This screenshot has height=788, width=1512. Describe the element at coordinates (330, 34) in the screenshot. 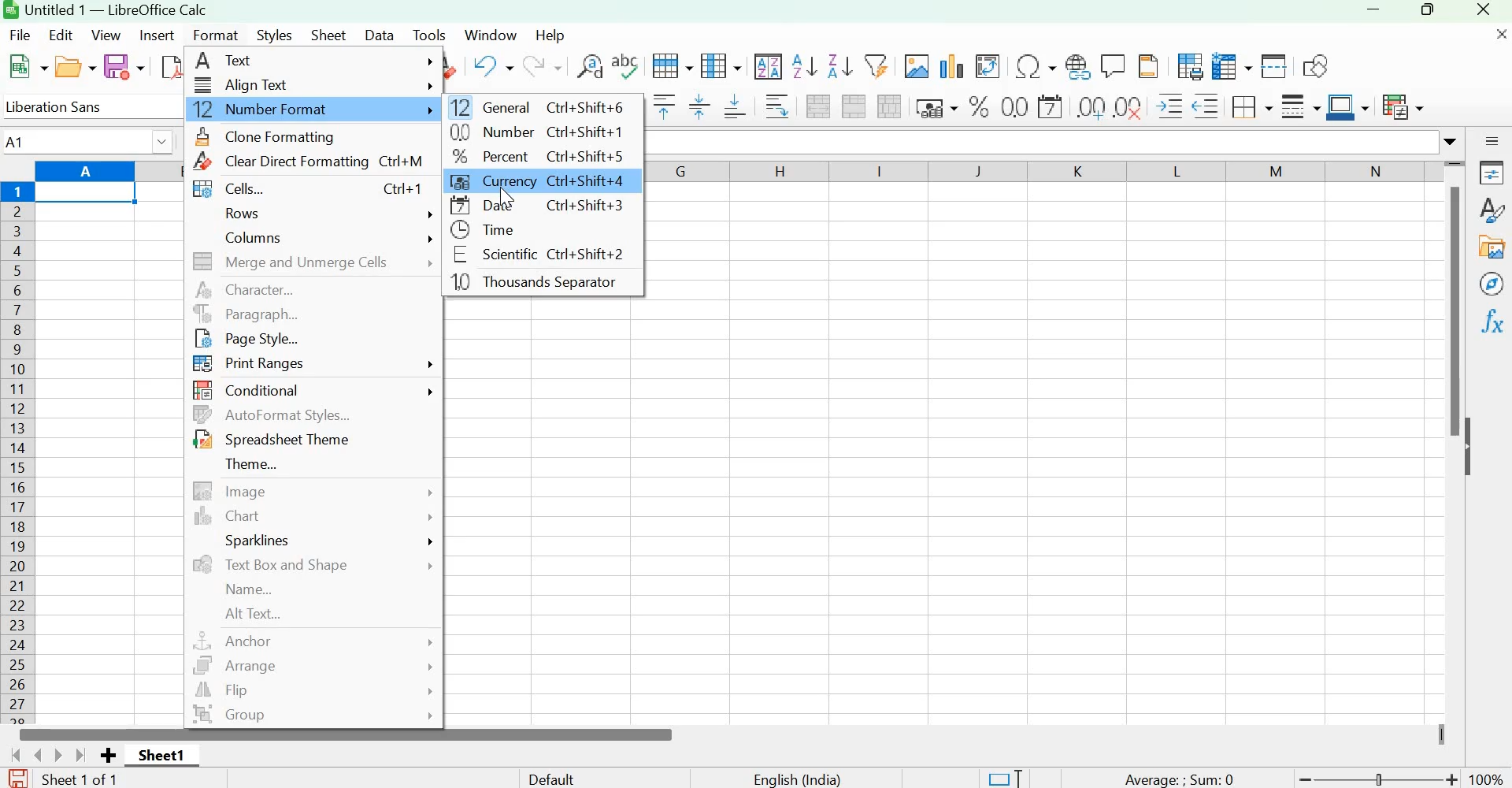

I see `Sheet` at that location.